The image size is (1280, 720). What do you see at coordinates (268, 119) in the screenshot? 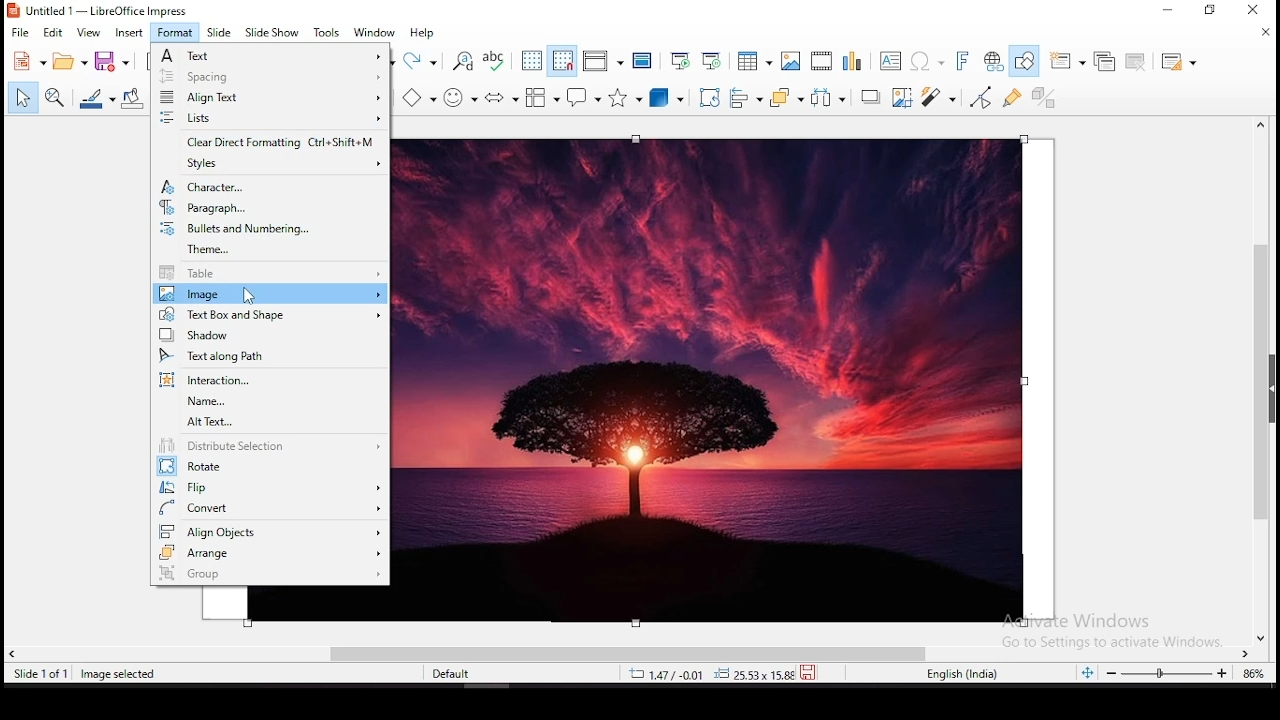
I see `lists` at bounding box center [268, 119].